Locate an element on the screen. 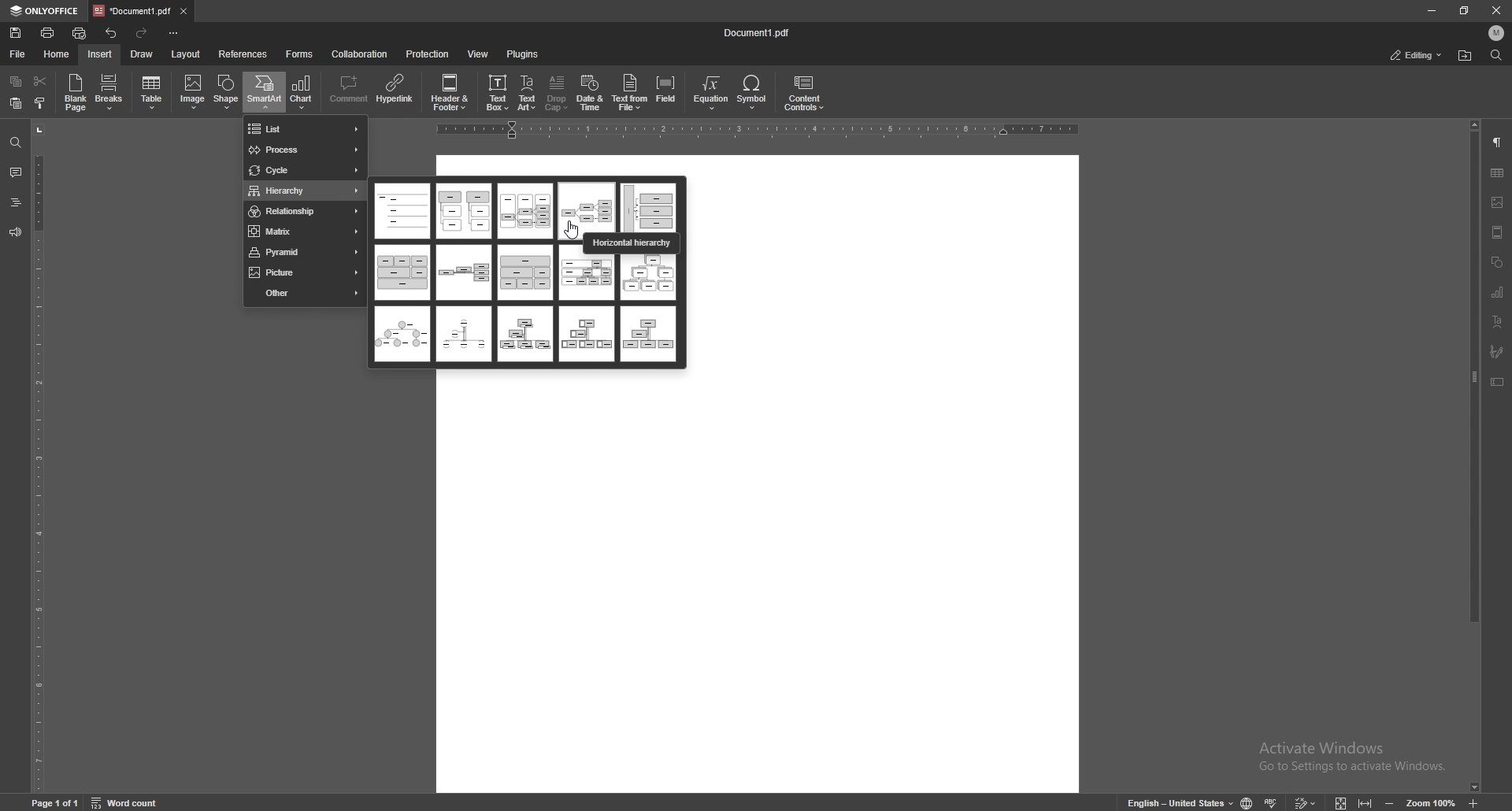 The image size is (1512, 811). undo is located at coordinates (112, 33).